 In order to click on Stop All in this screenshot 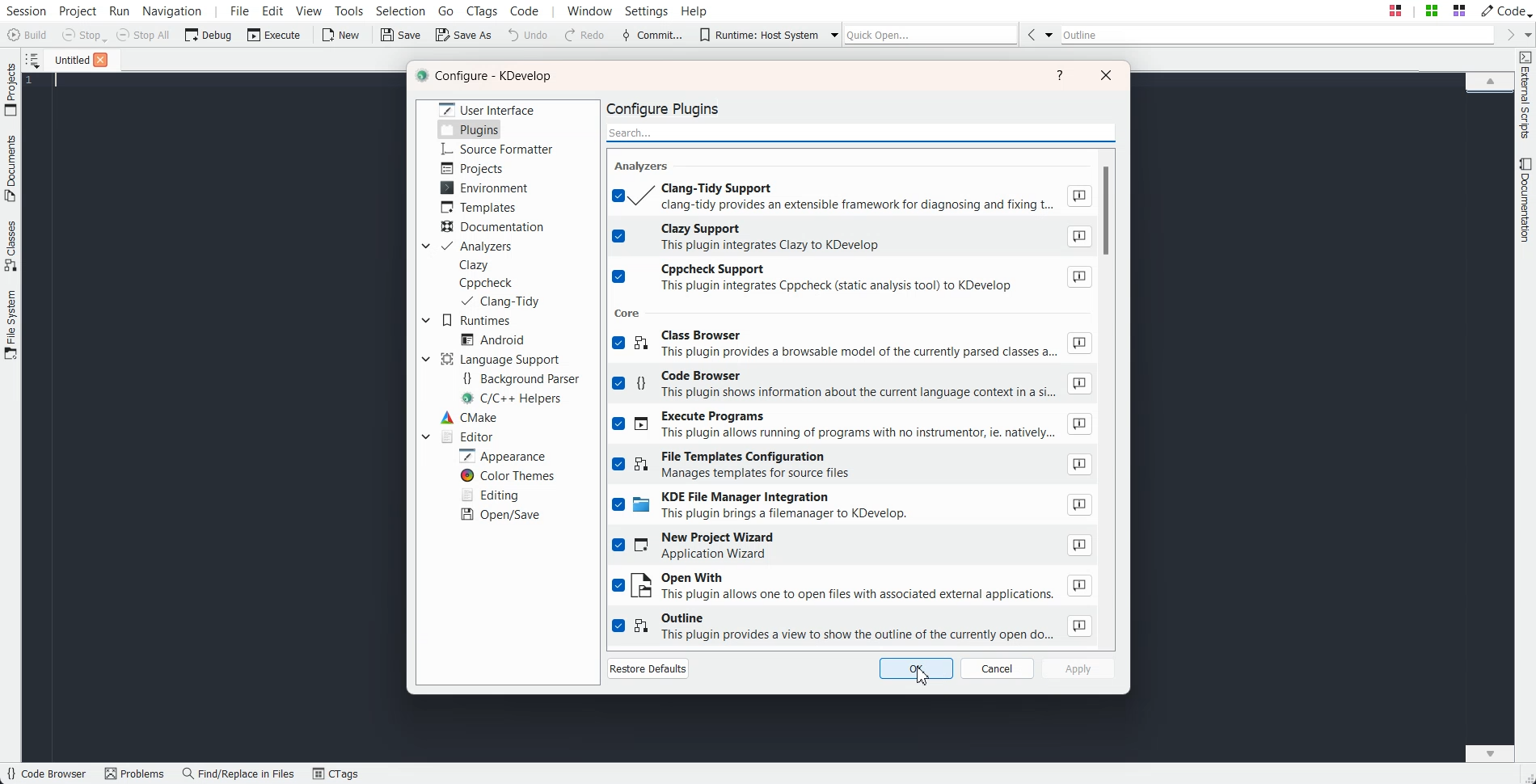, I will do `click(144, 35)`.